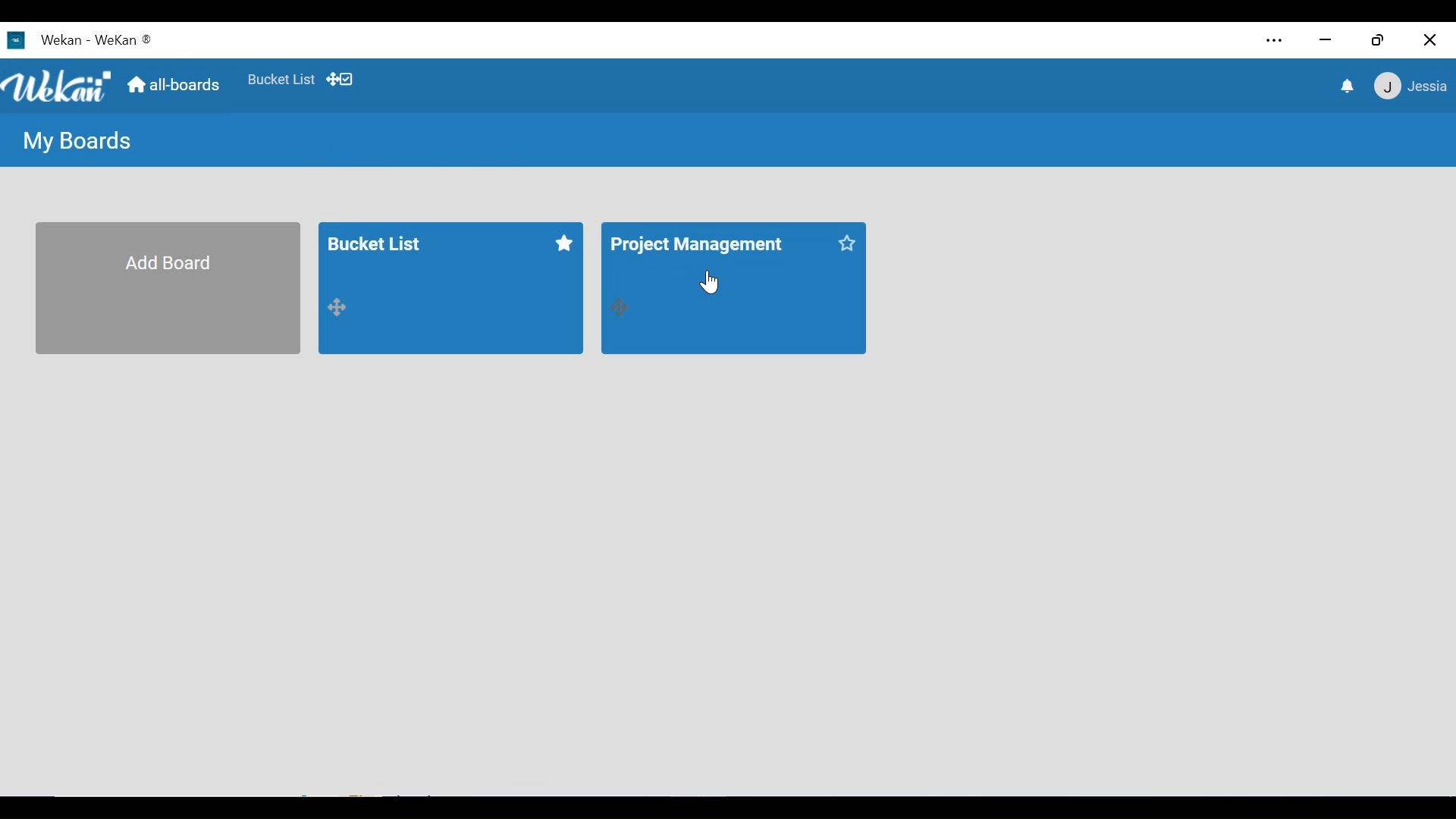 This screenshot has width=1456, height=819. I want to click on member menu, so click(1410, 86).